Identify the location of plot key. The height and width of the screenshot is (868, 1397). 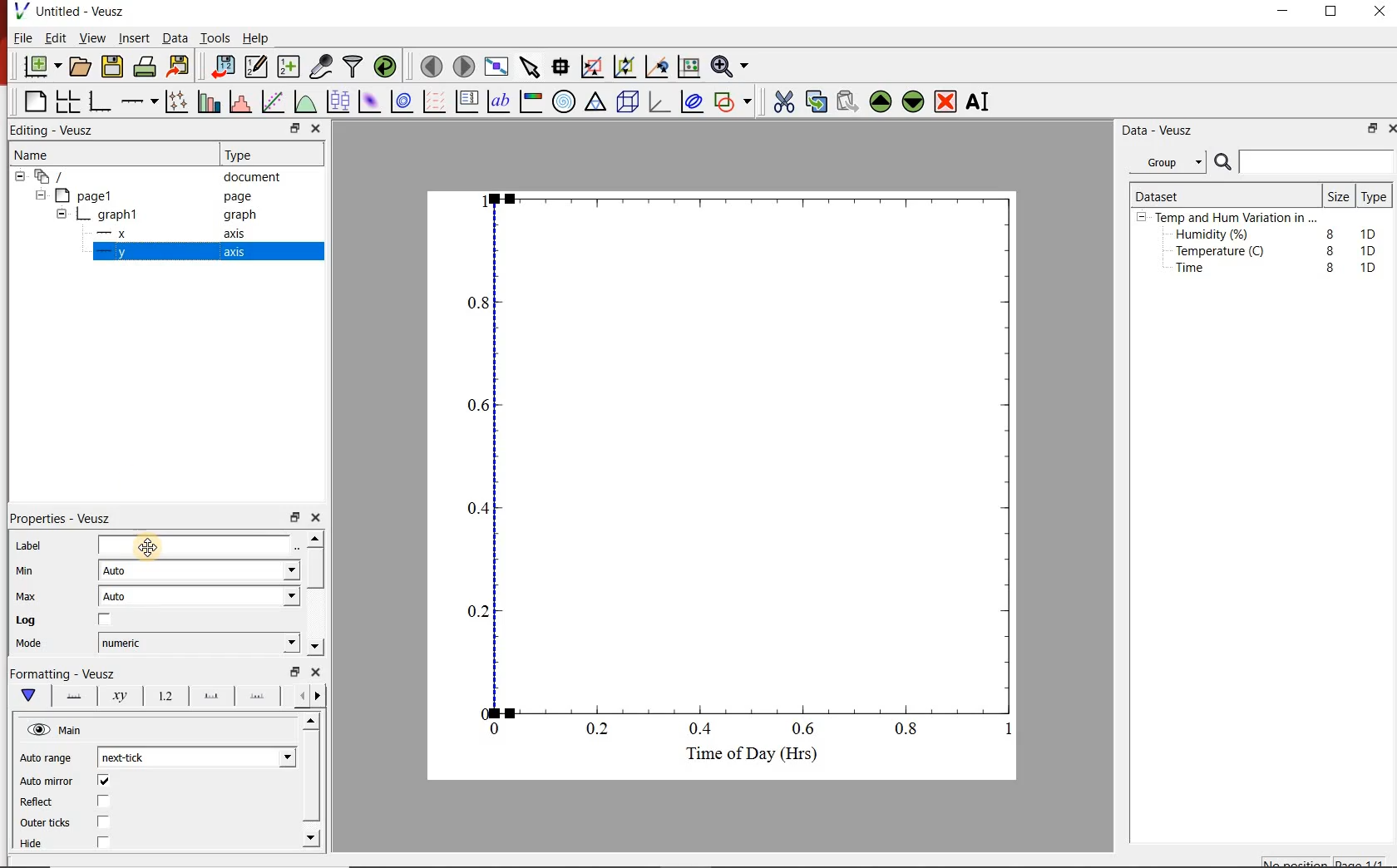
(470, 101).